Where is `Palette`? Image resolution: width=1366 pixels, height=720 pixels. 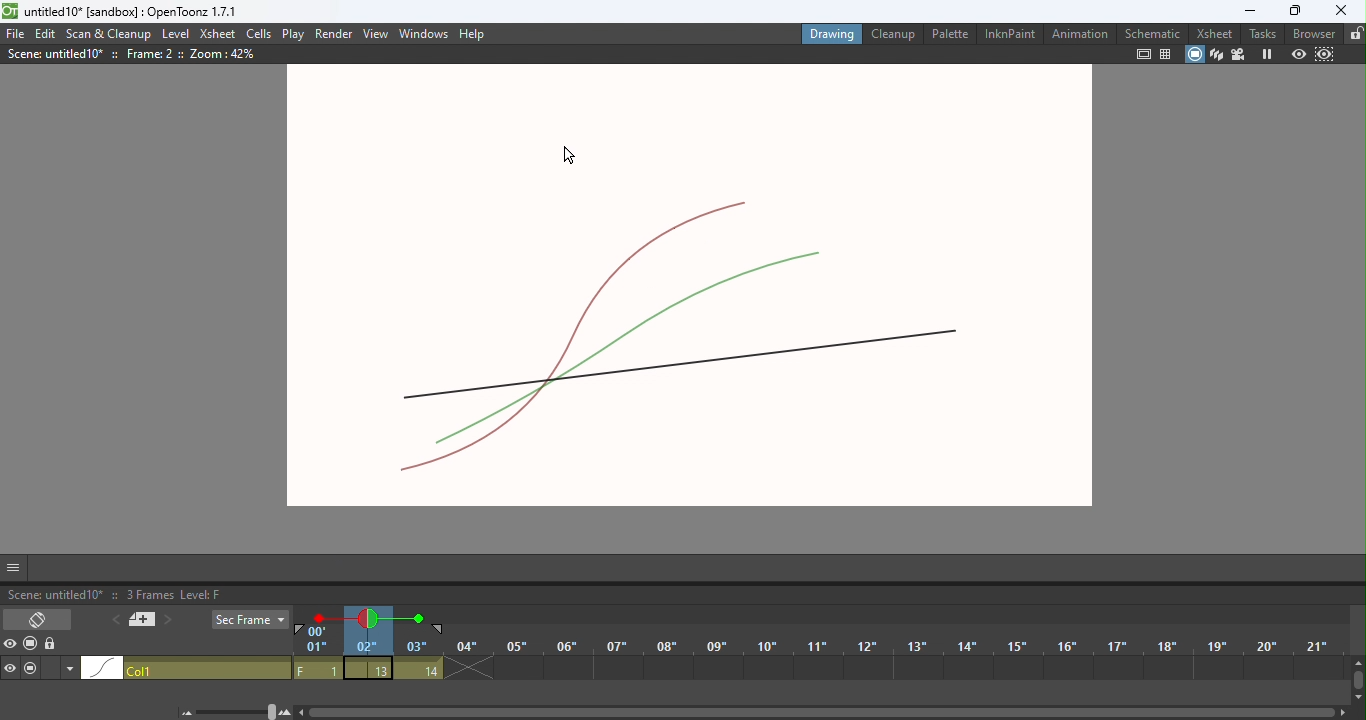
Palette is located at coordinates (948, 33).